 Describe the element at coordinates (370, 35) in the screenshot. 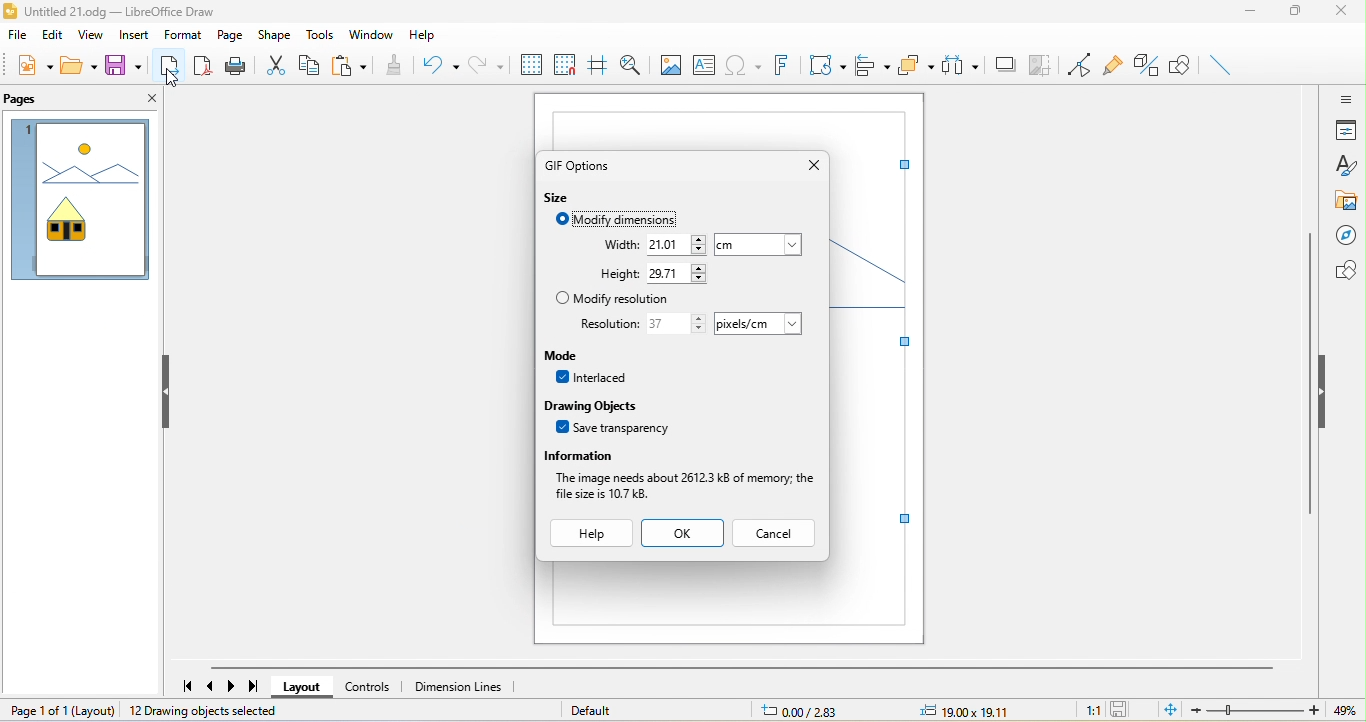

I see `window` at that location.